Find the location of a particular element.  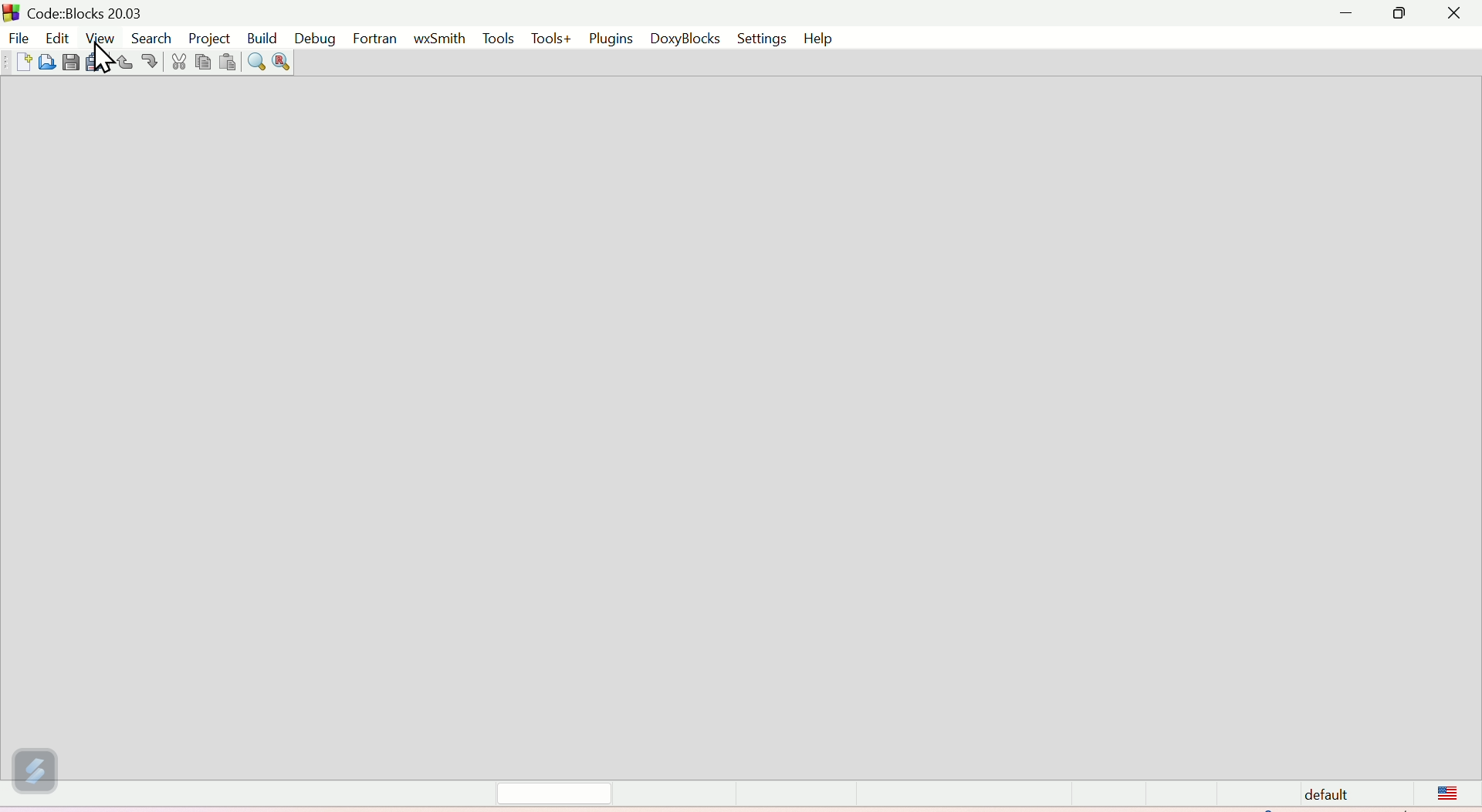

Doxyblocks is located at coordinates (685, 40).